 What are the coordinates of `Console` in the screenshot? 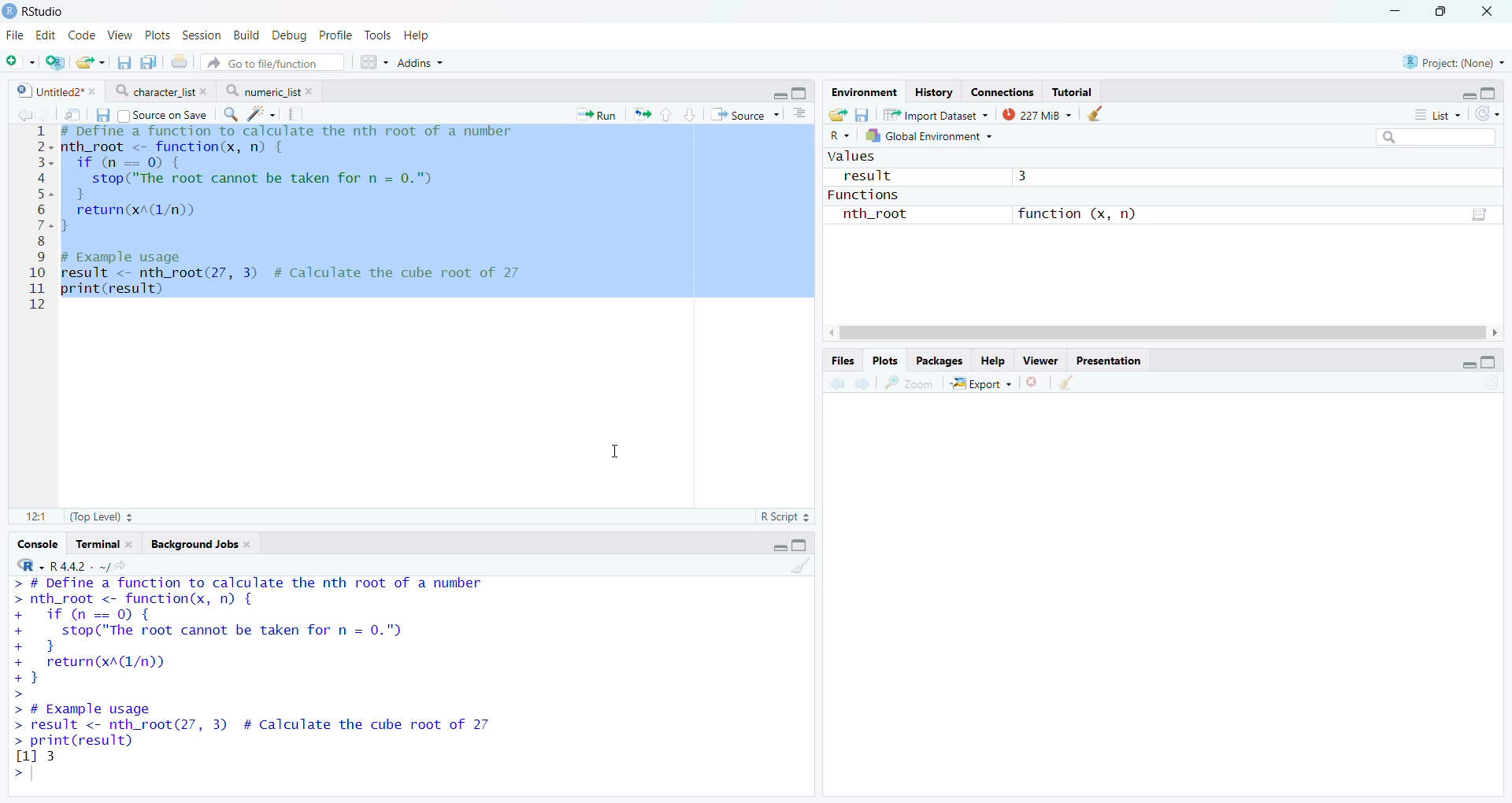 It's located at (410, 686).